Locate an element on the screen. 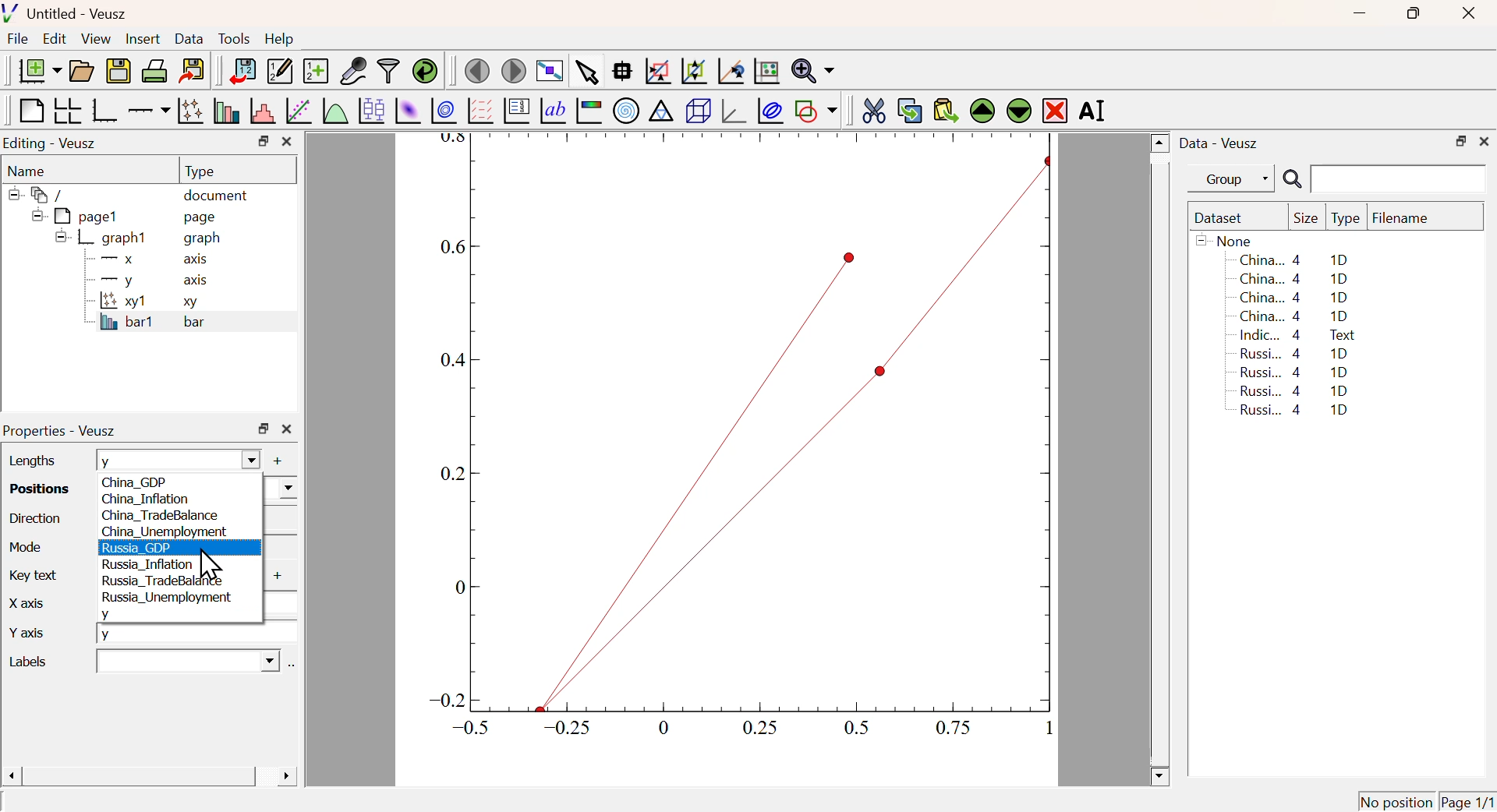  Add is located at coordinates (272, 577).